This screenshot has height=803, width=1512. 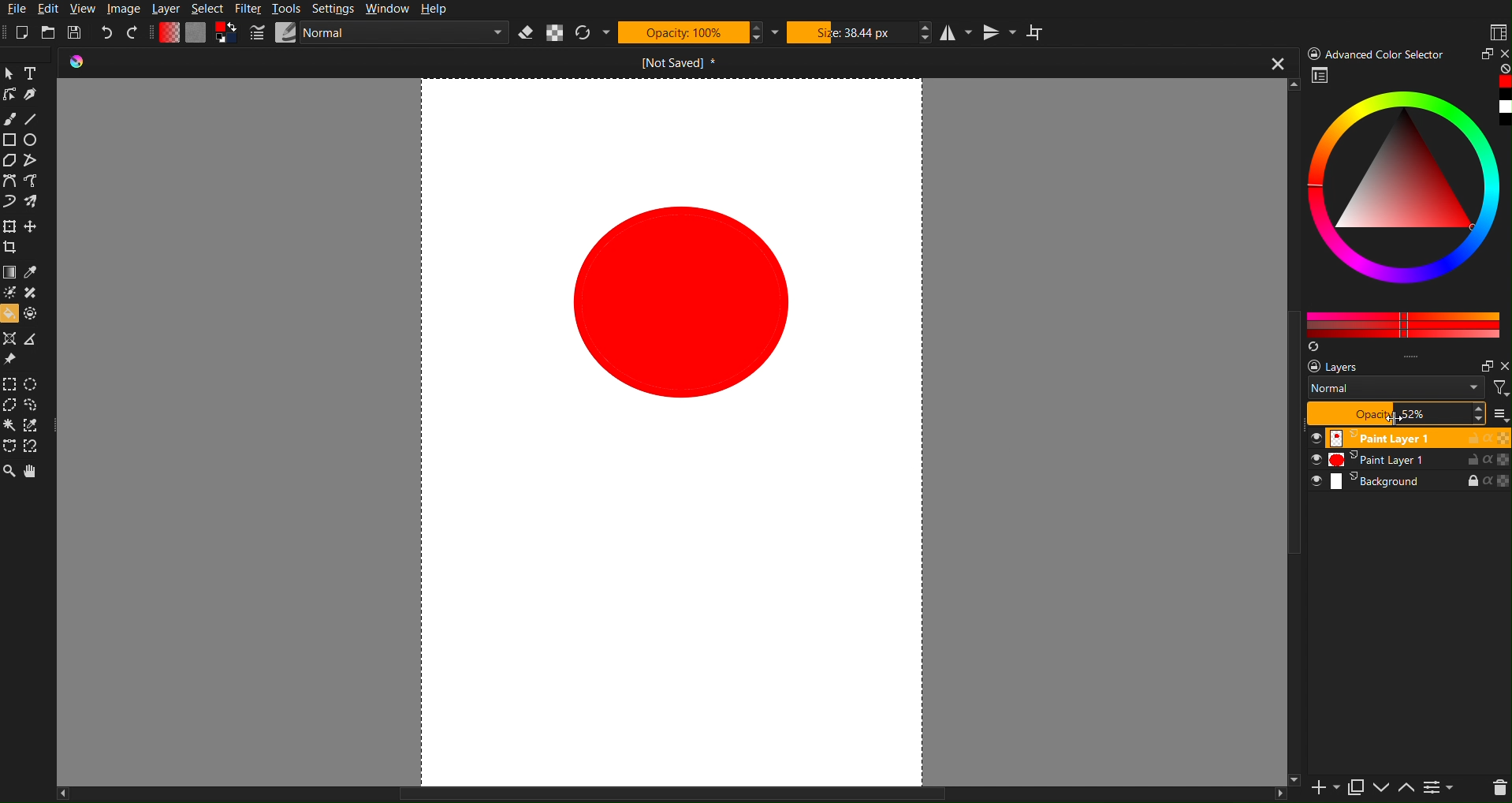 I want to click on View, so click(x=84, y=10).